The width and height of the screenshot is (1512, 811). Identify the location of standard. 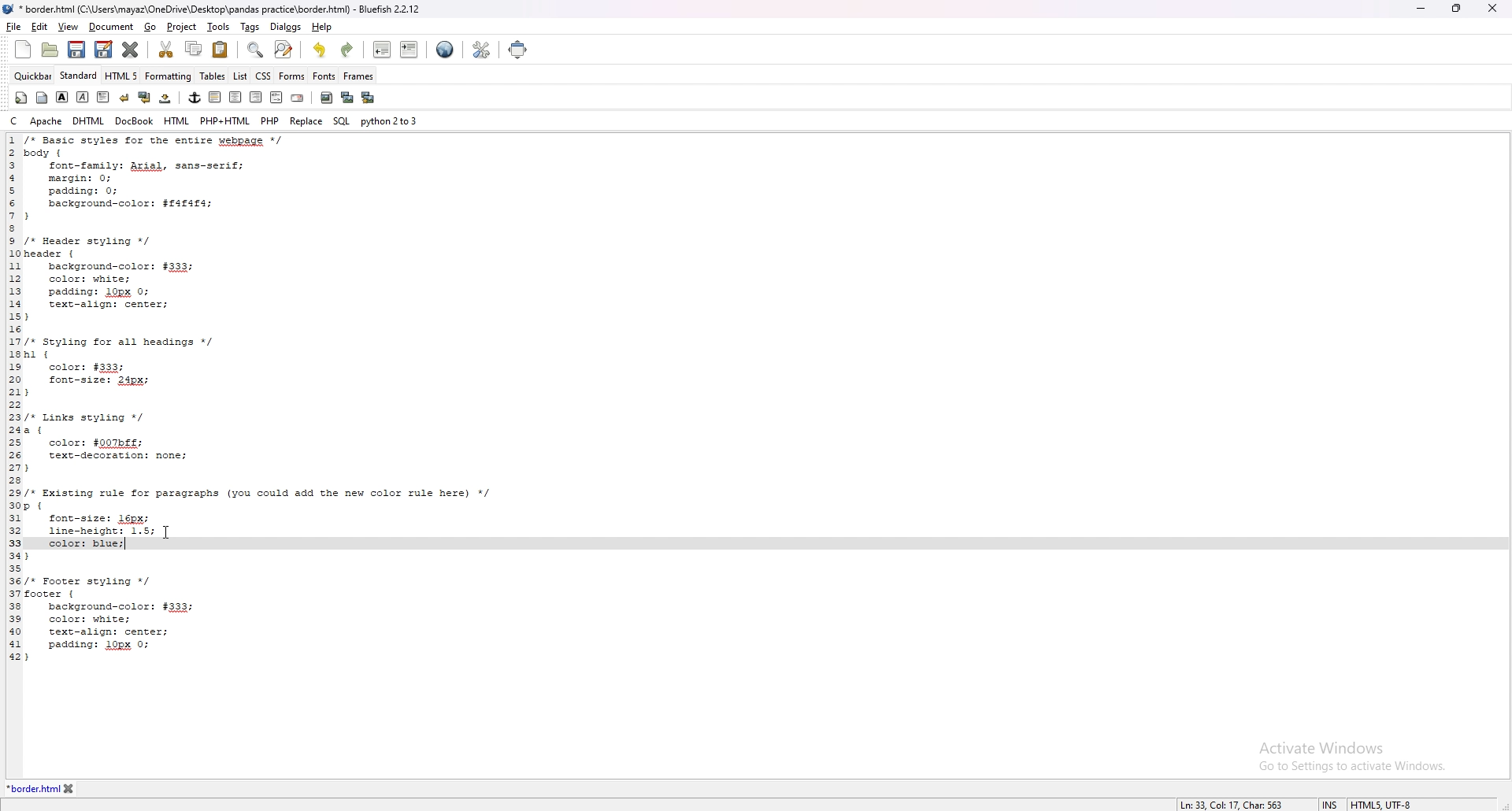
(79, 75).